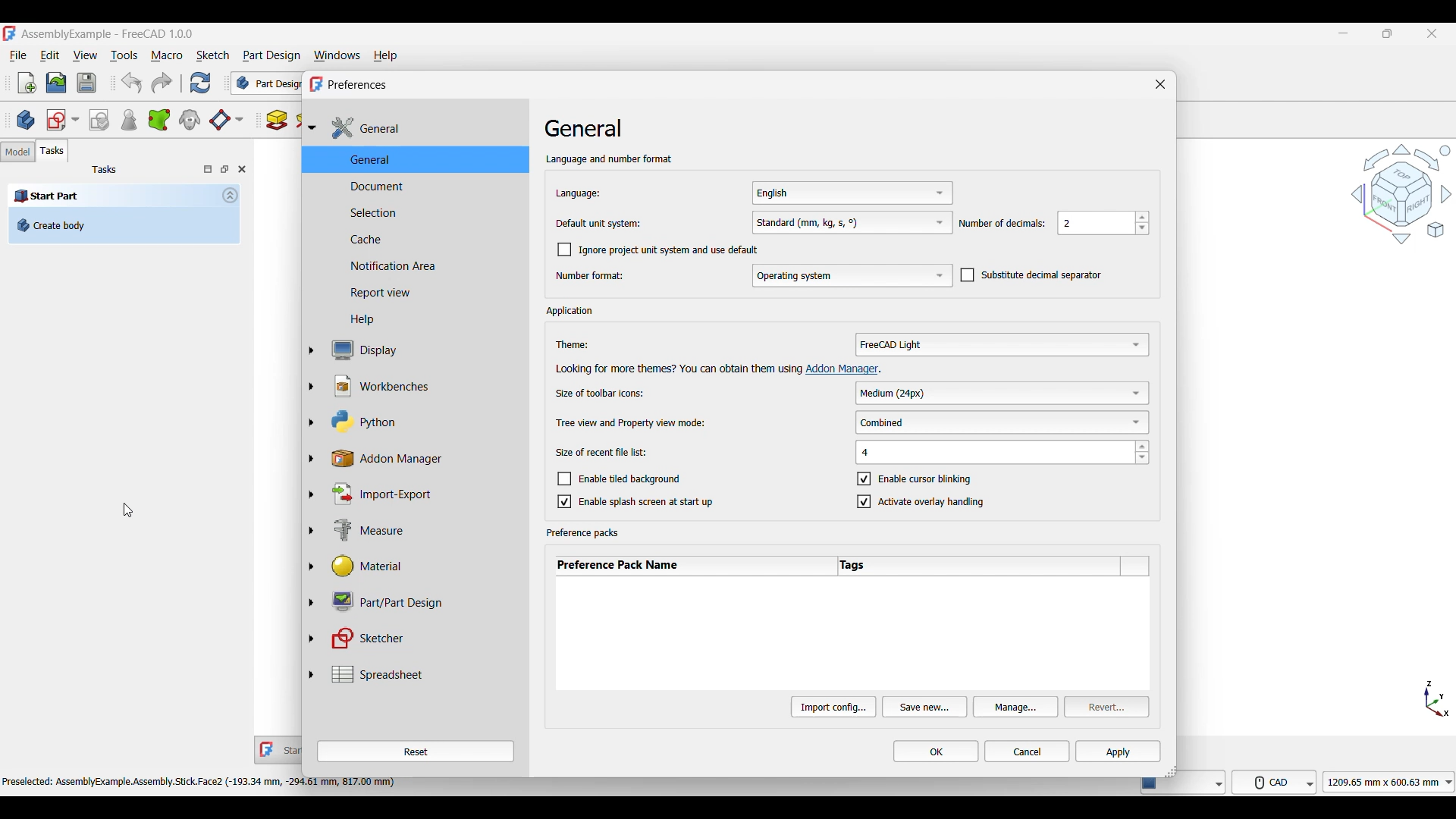 The image size is (1456, 819). Describe the element at coordinates (1170, 771) in the screenshot. I see `Change window dimension` at that location.